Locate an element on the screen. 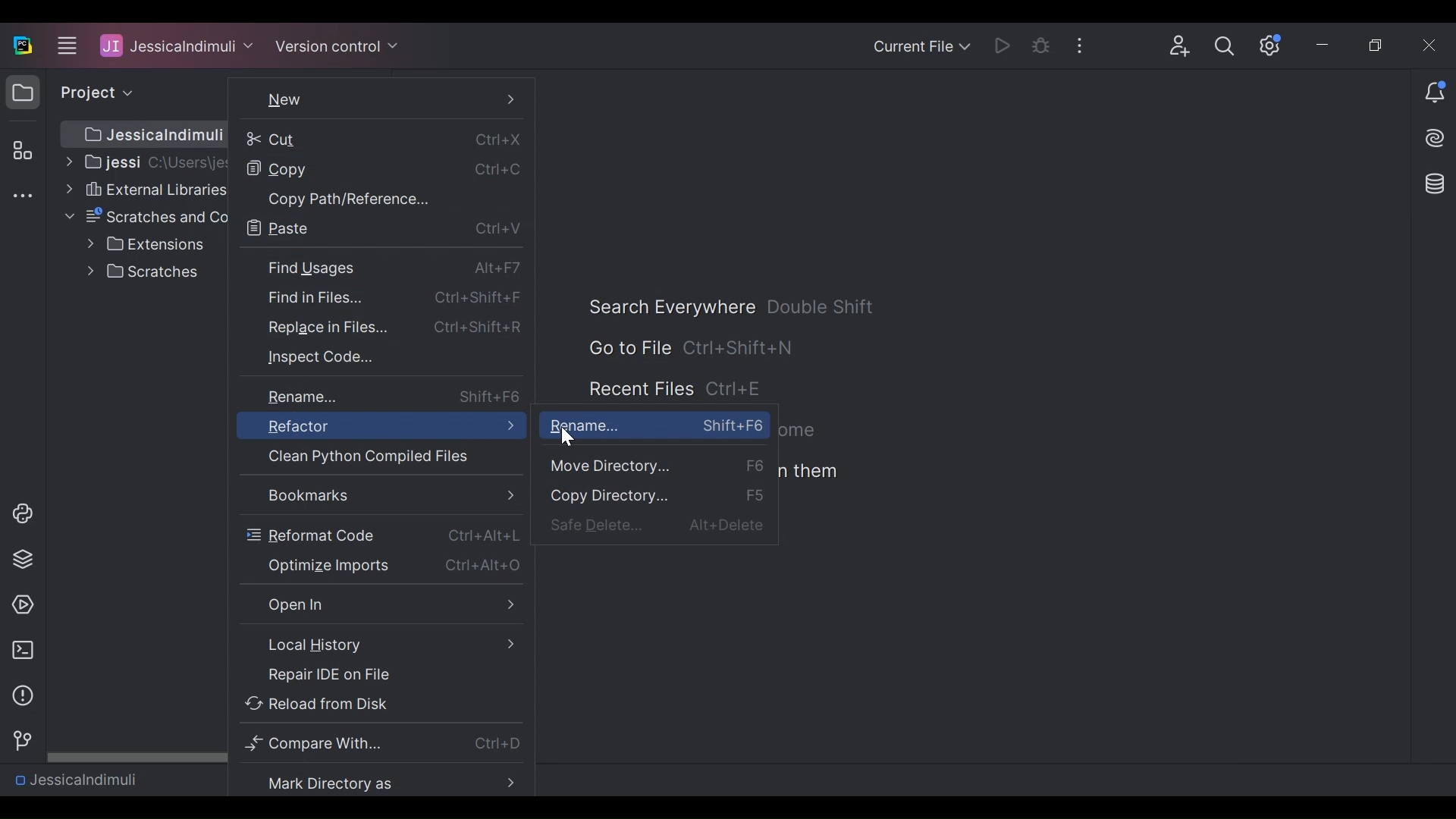  Cut is located at coordinates (378, 137).